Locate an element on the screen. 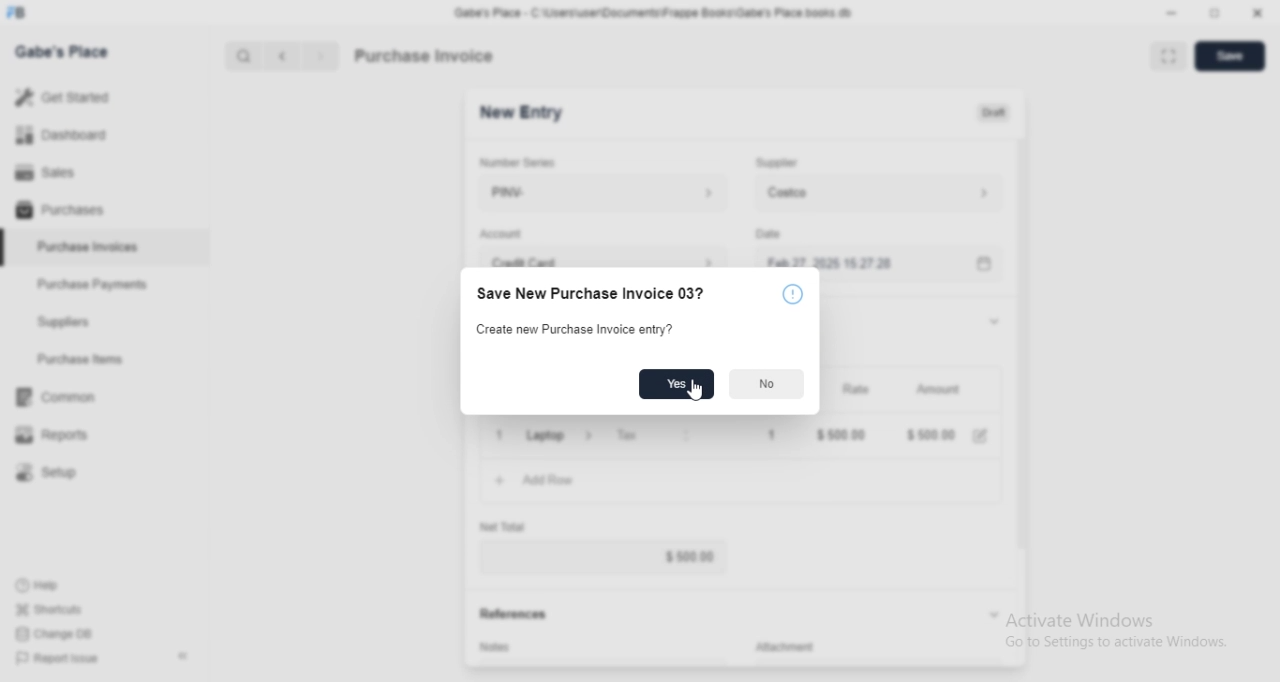 The image size is (1280, 682). ‘Gabe's Place - C\Users\useriDocuments\Frappe Books\Gabe's Place books db. is located at coordinates (653, 12).